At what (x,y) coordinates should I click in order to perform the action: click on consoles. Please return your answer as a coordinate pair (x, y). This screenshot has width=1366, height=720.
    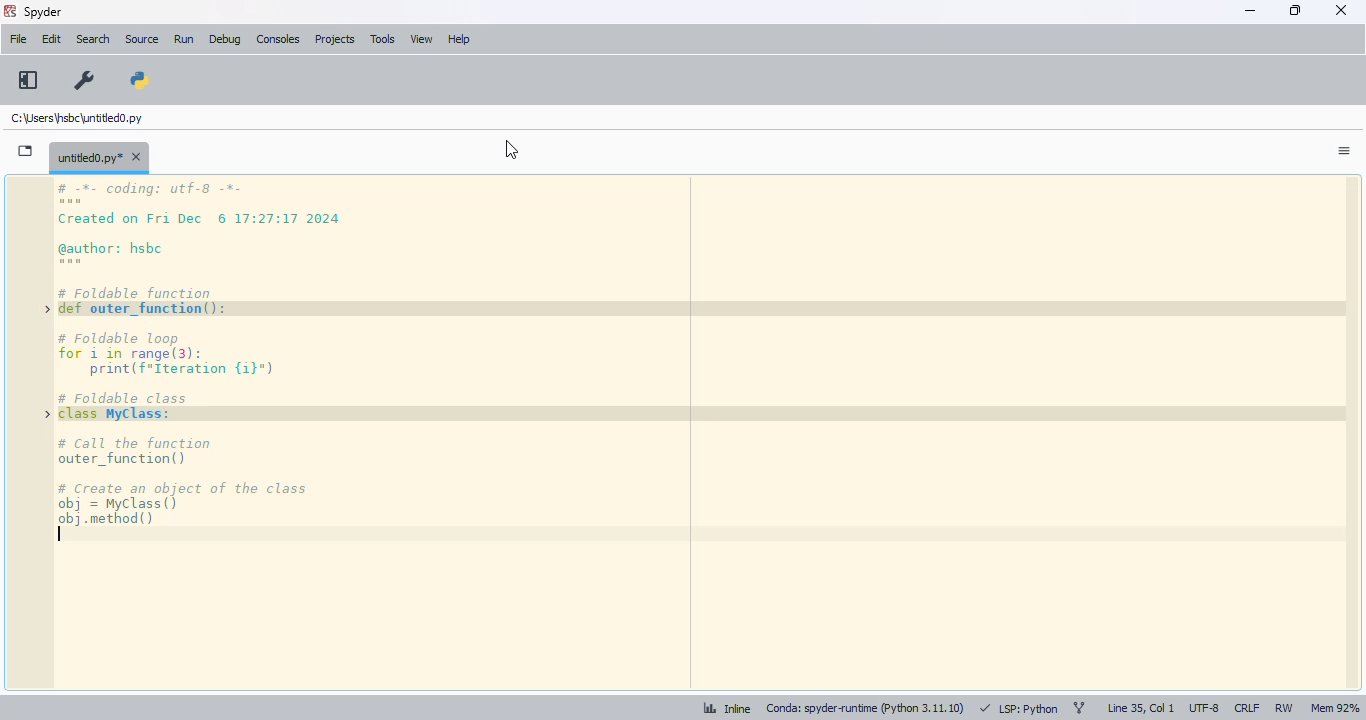
    Looking at the image, I should click on (277, 39).